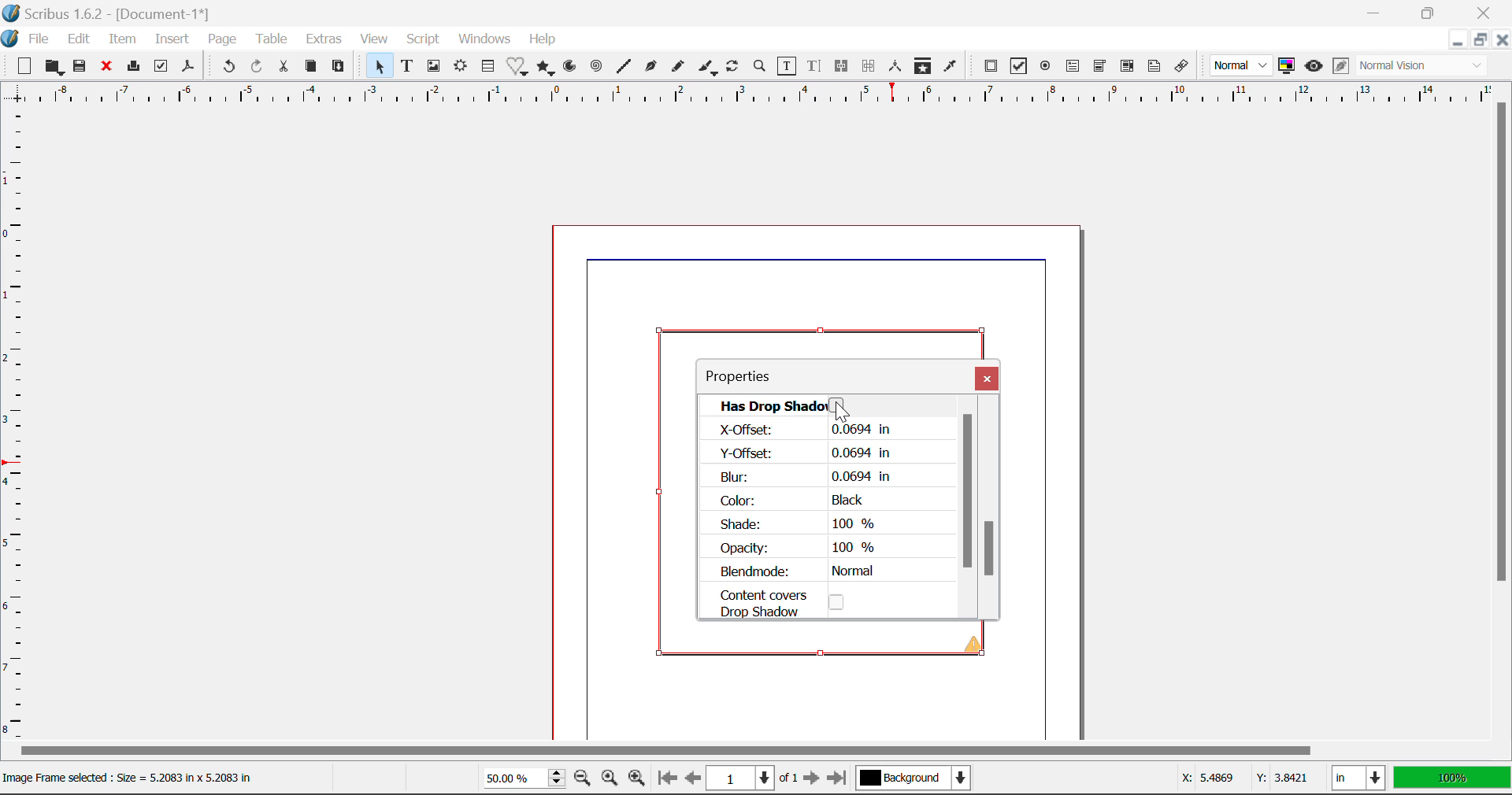 The width and height of the screenshot is (1512, 795). What do you see at coordinates (1358, 778) in the screenshot?
I see `in` at bounding box center [1358, 778].